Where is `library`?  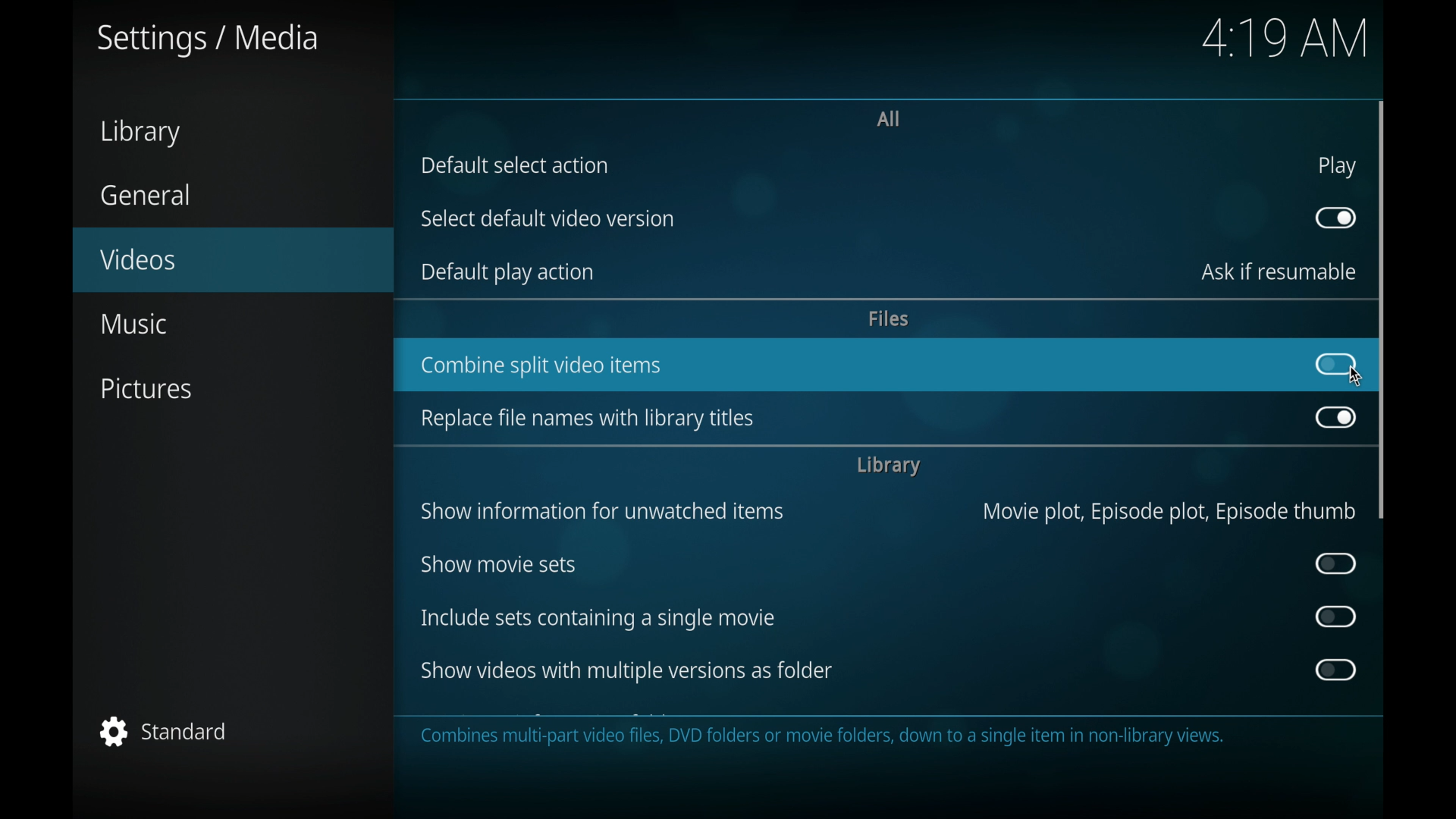
library is located at coordinates (886, 466).